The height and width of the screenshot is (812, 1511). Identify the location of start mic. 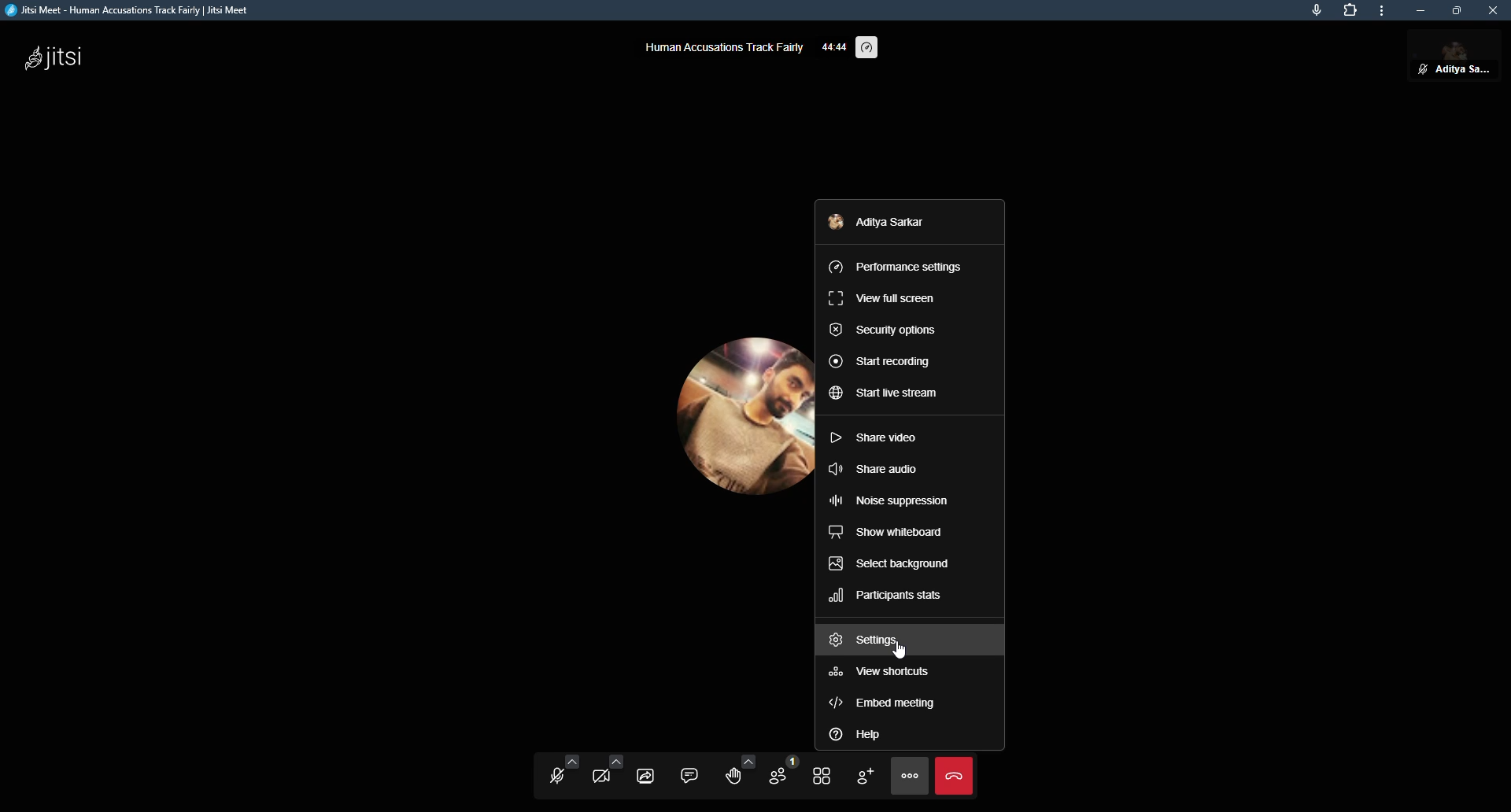
(553, 777).